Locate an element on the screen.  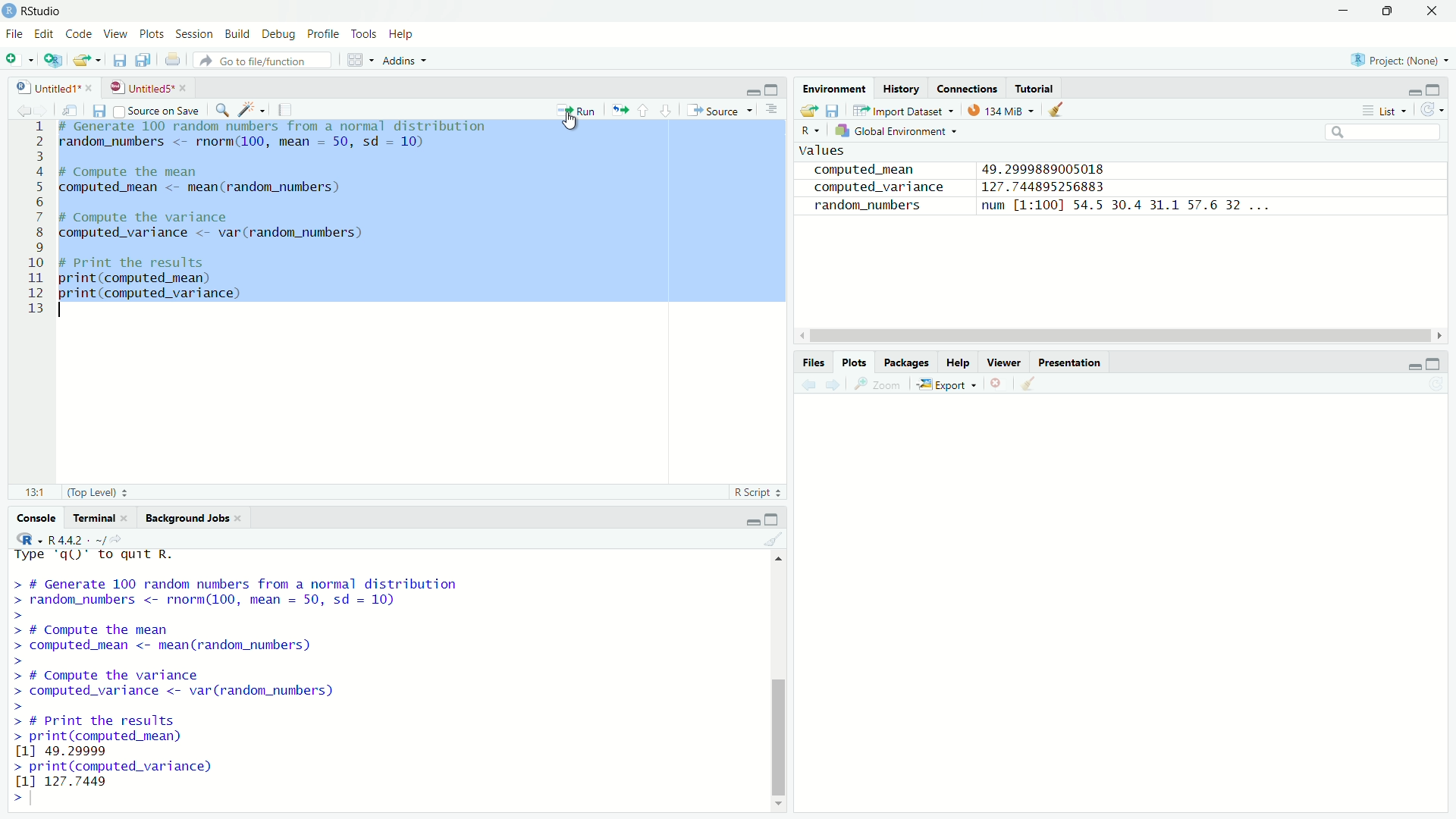
hide document online is located at coordinates (775, 111).